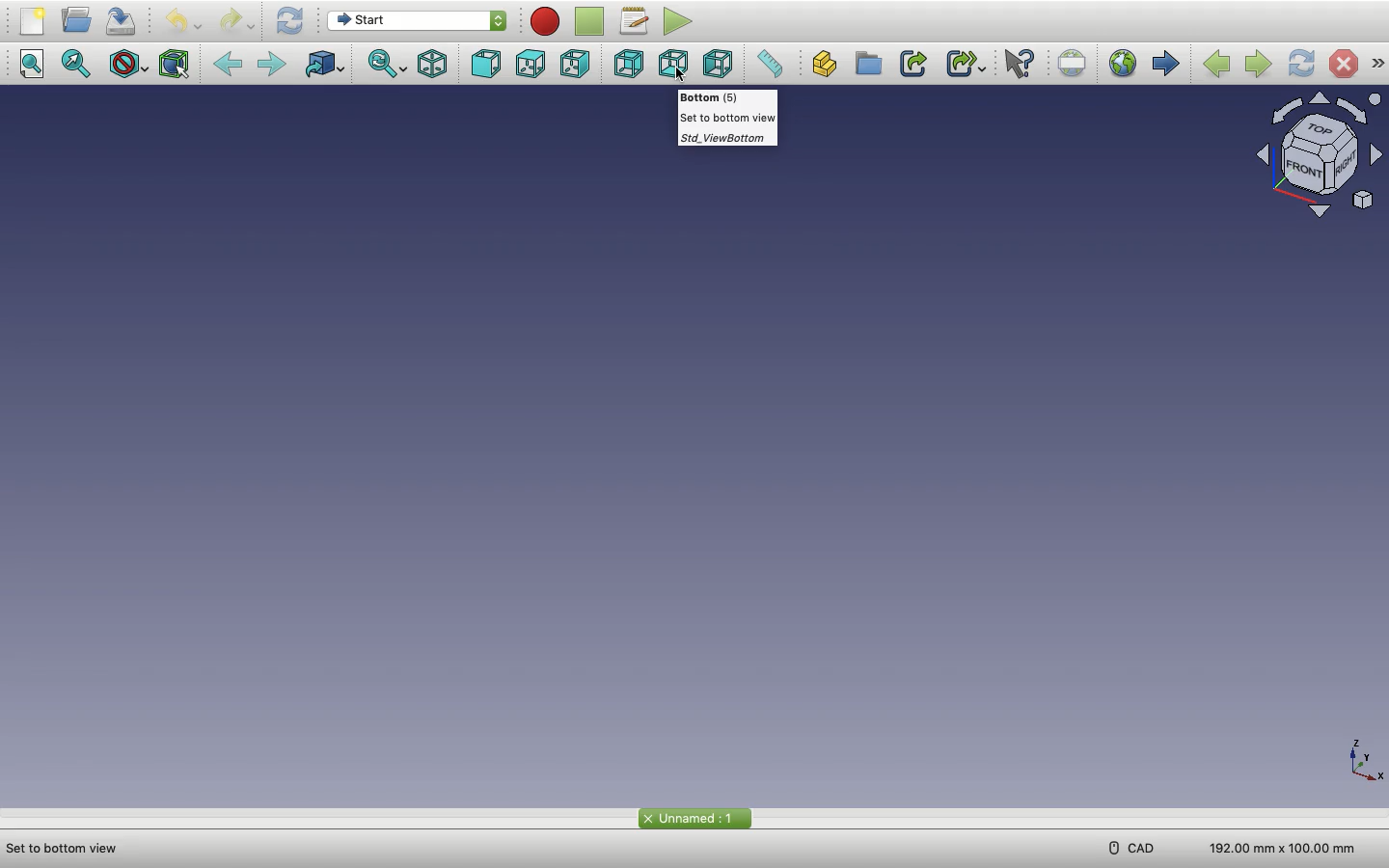 The height and width of the screenshot is (868, 1389). I want to click on Left, so click(720, 66).